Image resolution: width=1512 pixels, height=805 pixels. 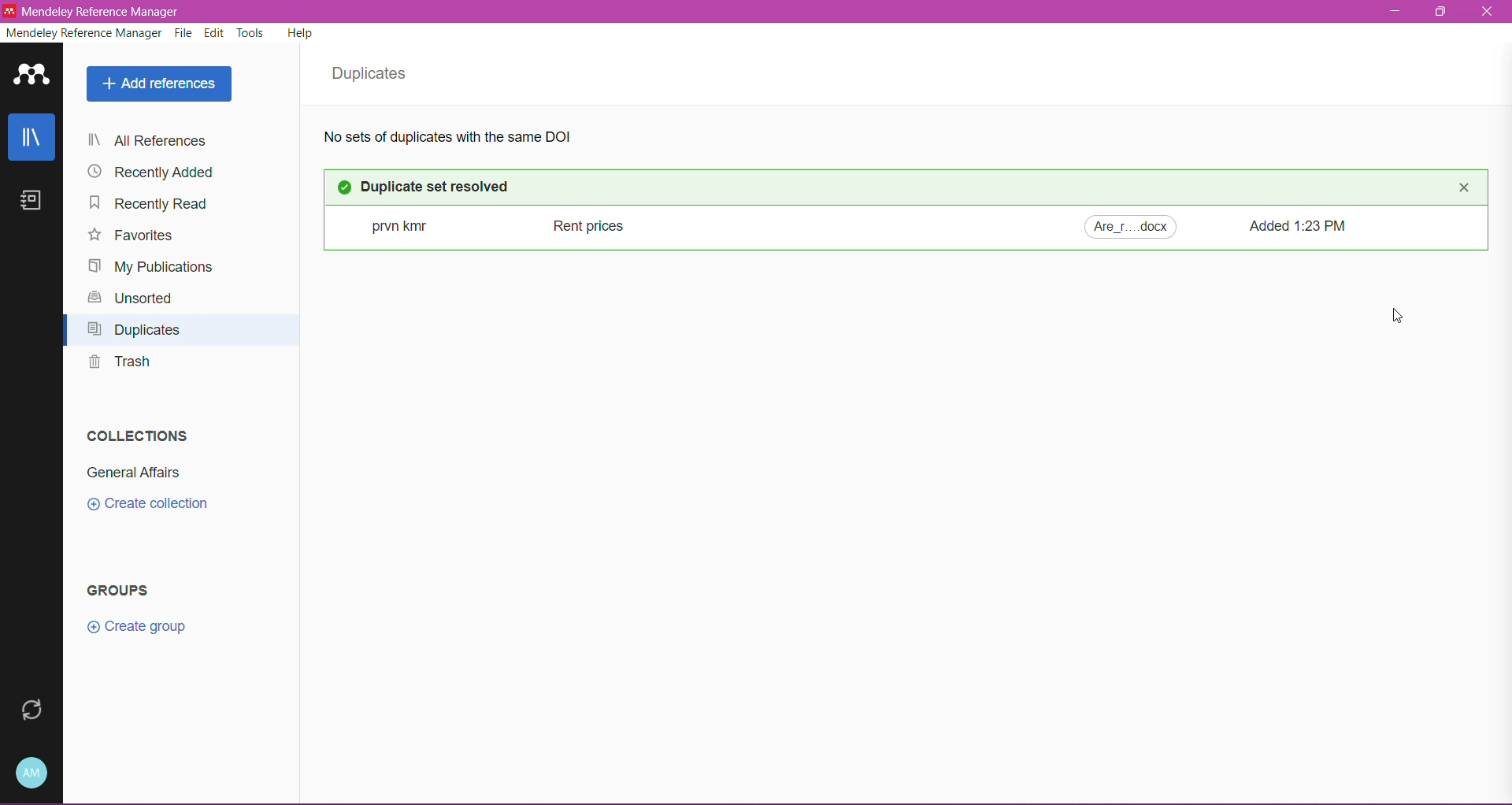 I want to click on Duplicates, so click(x=139, y=332).